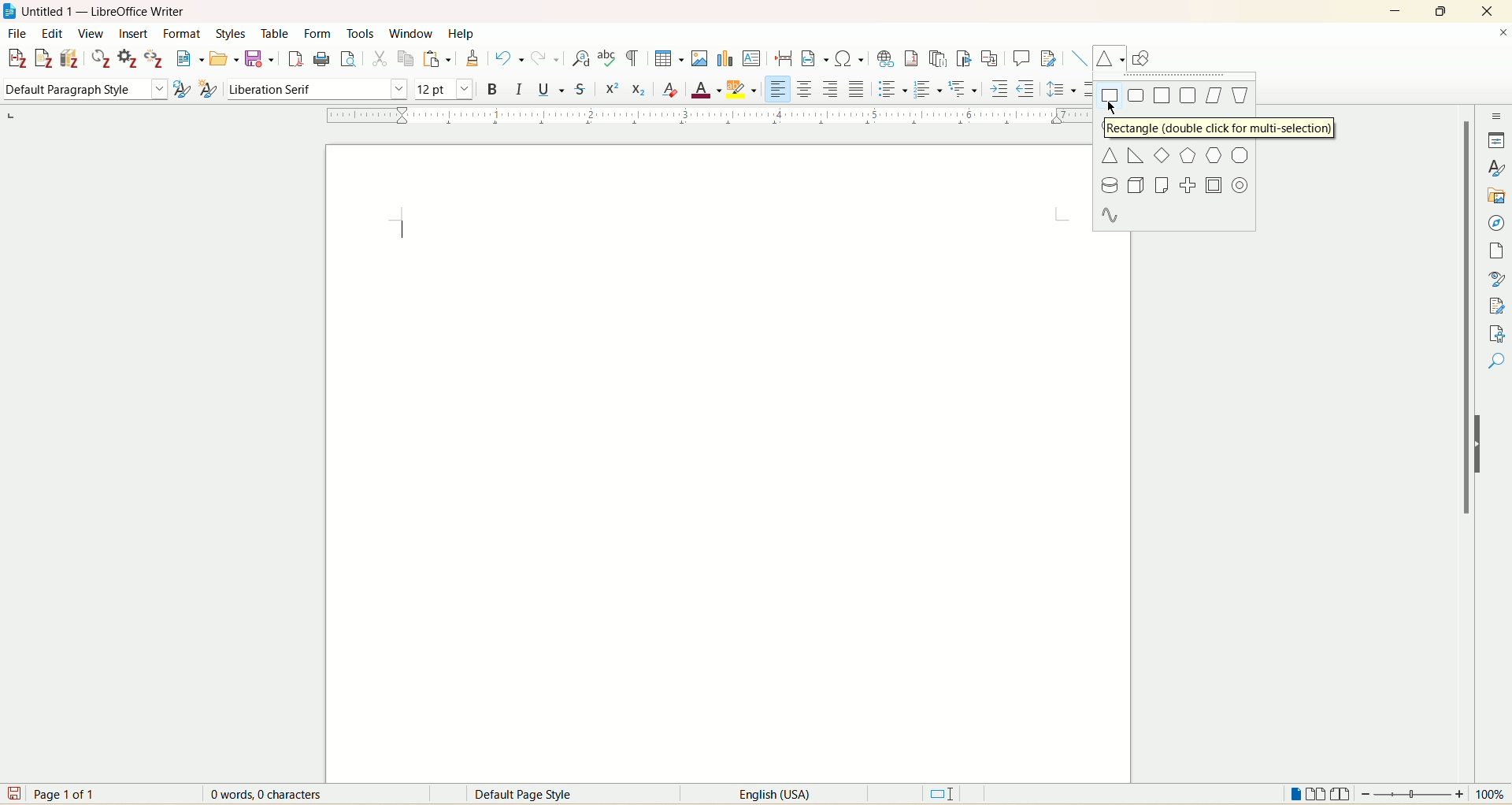 This screenshot has height=805, width=1512. Describe the element at coordinates (406, 61) in the screenshot. I see `copy` at that location.